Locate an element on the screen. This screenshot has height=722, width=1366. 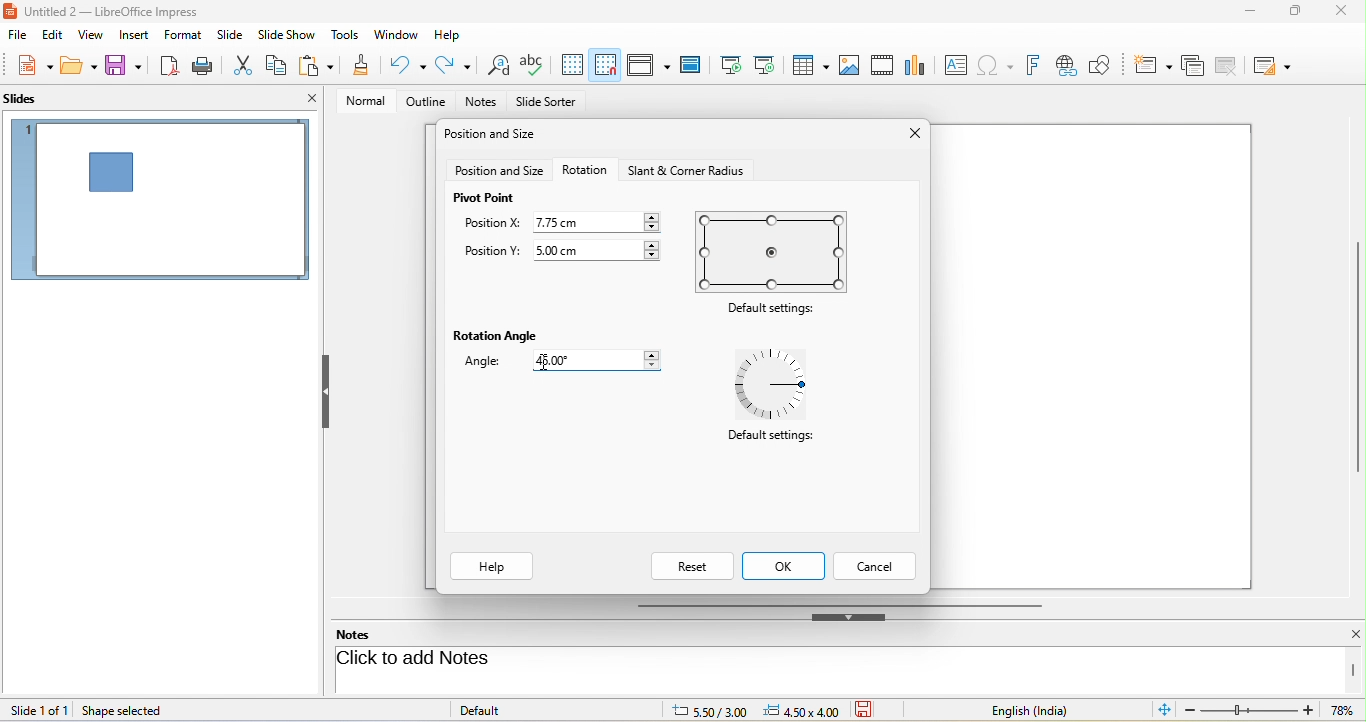
new slide is located at coordinates (1153, 63).